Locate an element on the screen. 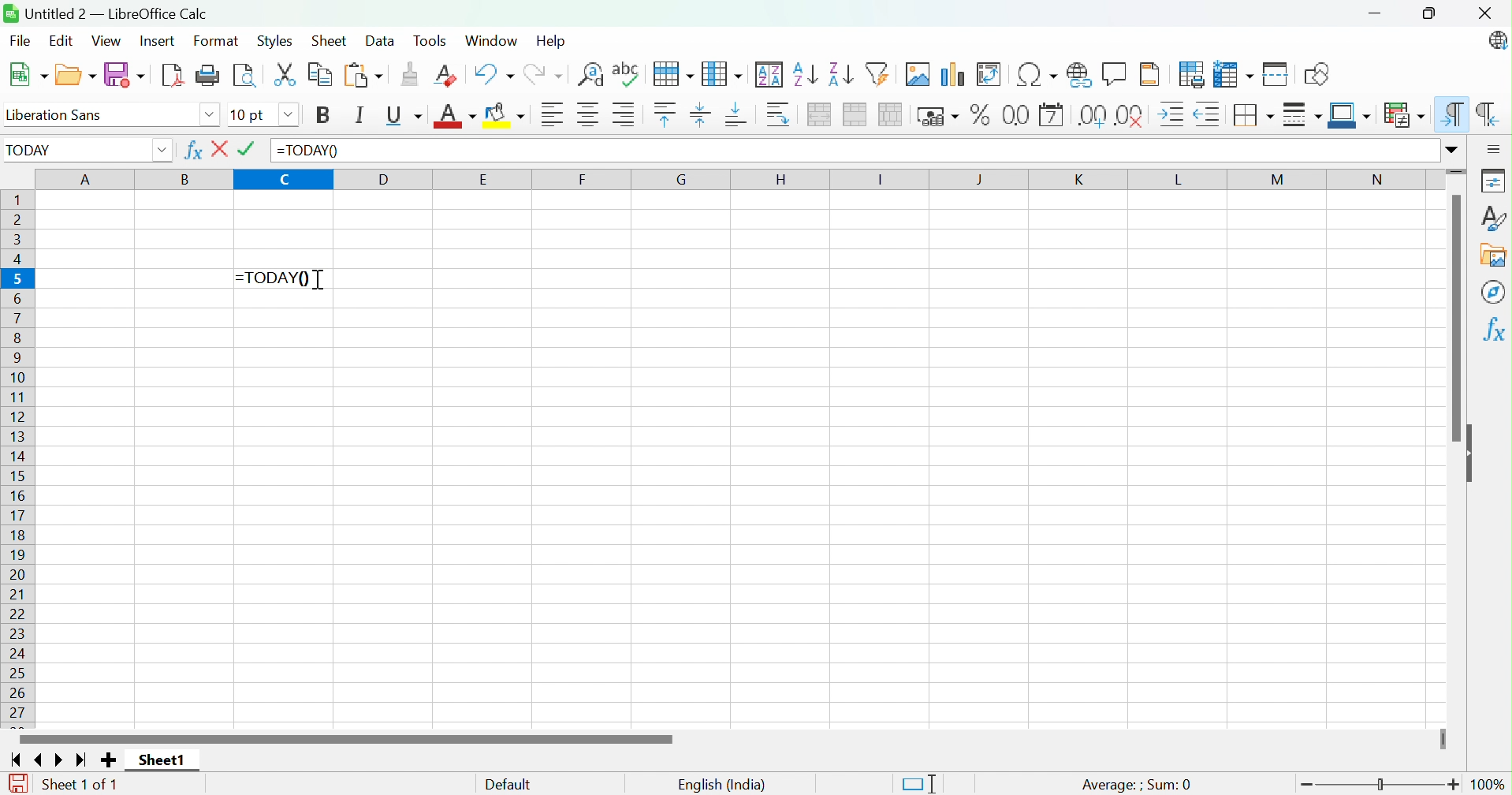 This screenshot has height=795, width=1512. Functions is located at coordinates (1493, 332).